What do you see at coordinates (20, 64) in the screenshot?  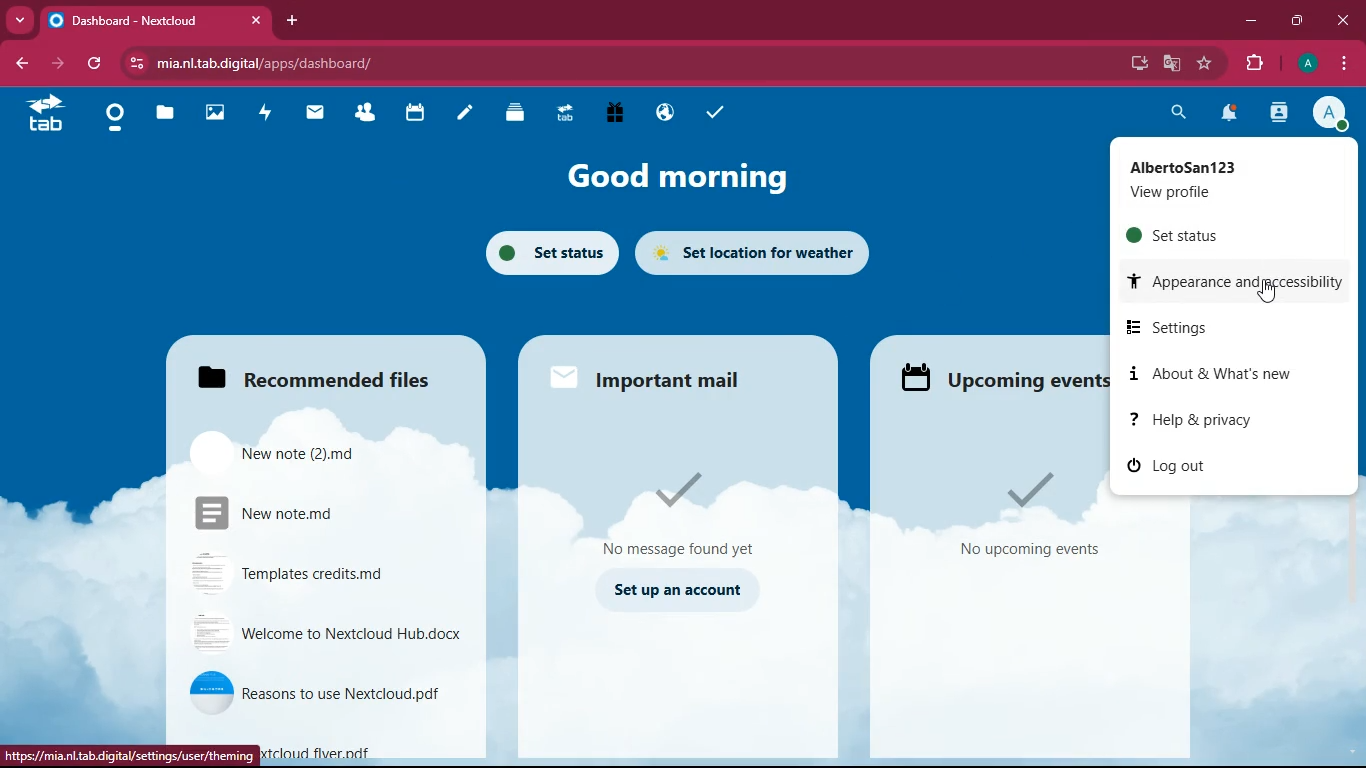 I see `back` at bounding box center [20, 64].